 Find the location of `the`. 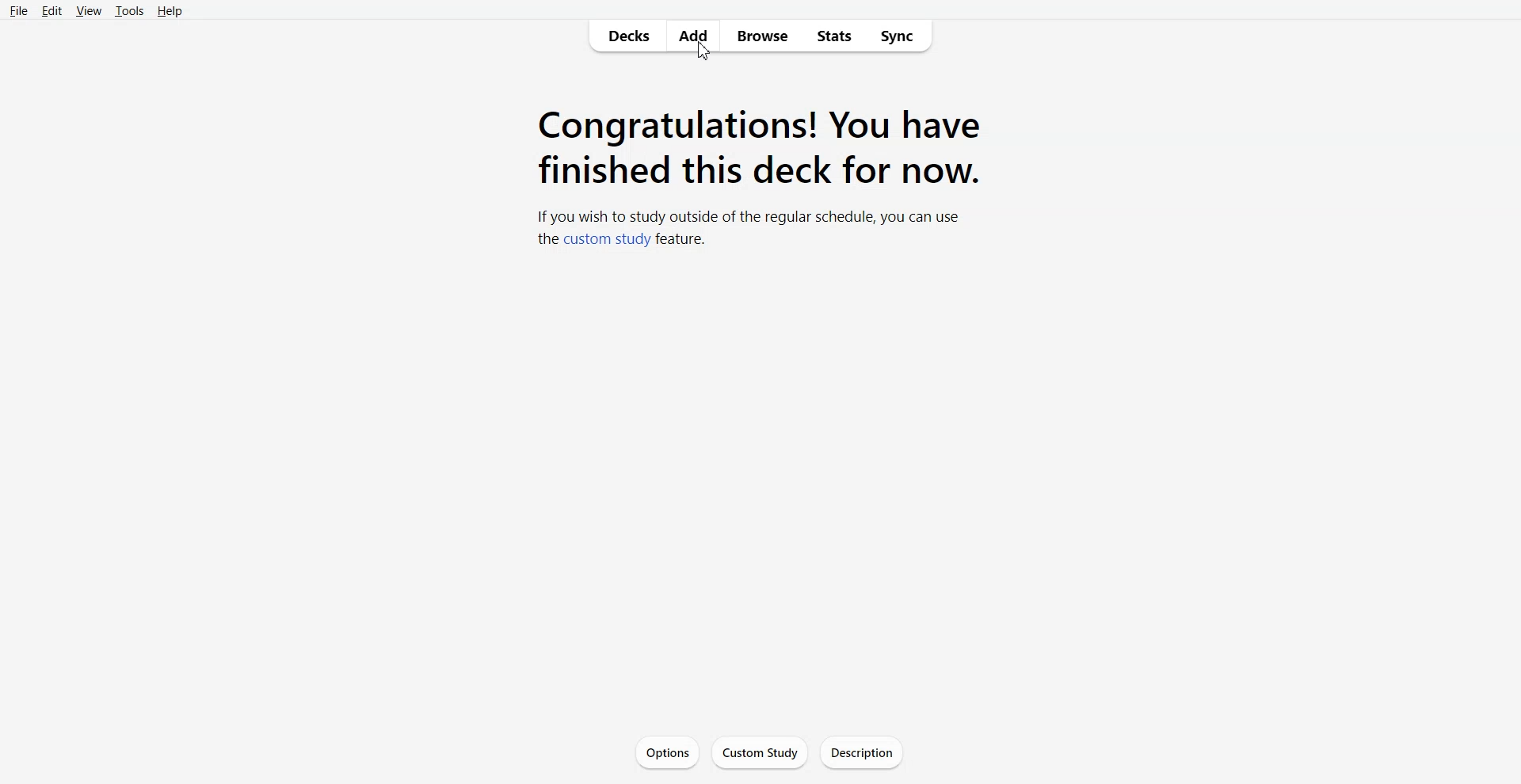

the is located at coordinates (546, 238).